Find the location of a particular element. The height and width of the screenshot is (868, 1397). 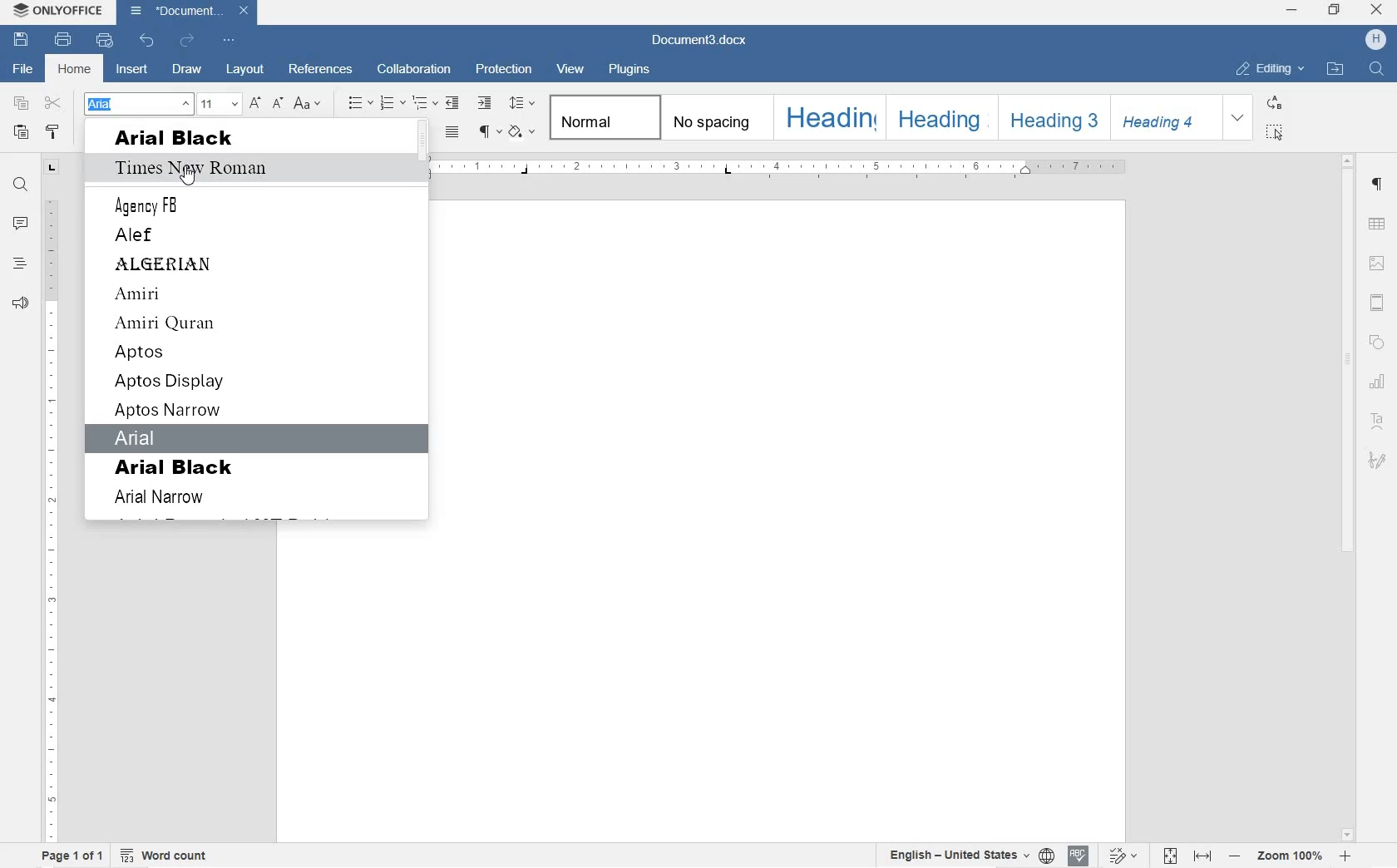

SET TEXT OR DOCUMENT LANGUAGE is located at coordinates (968, 854).